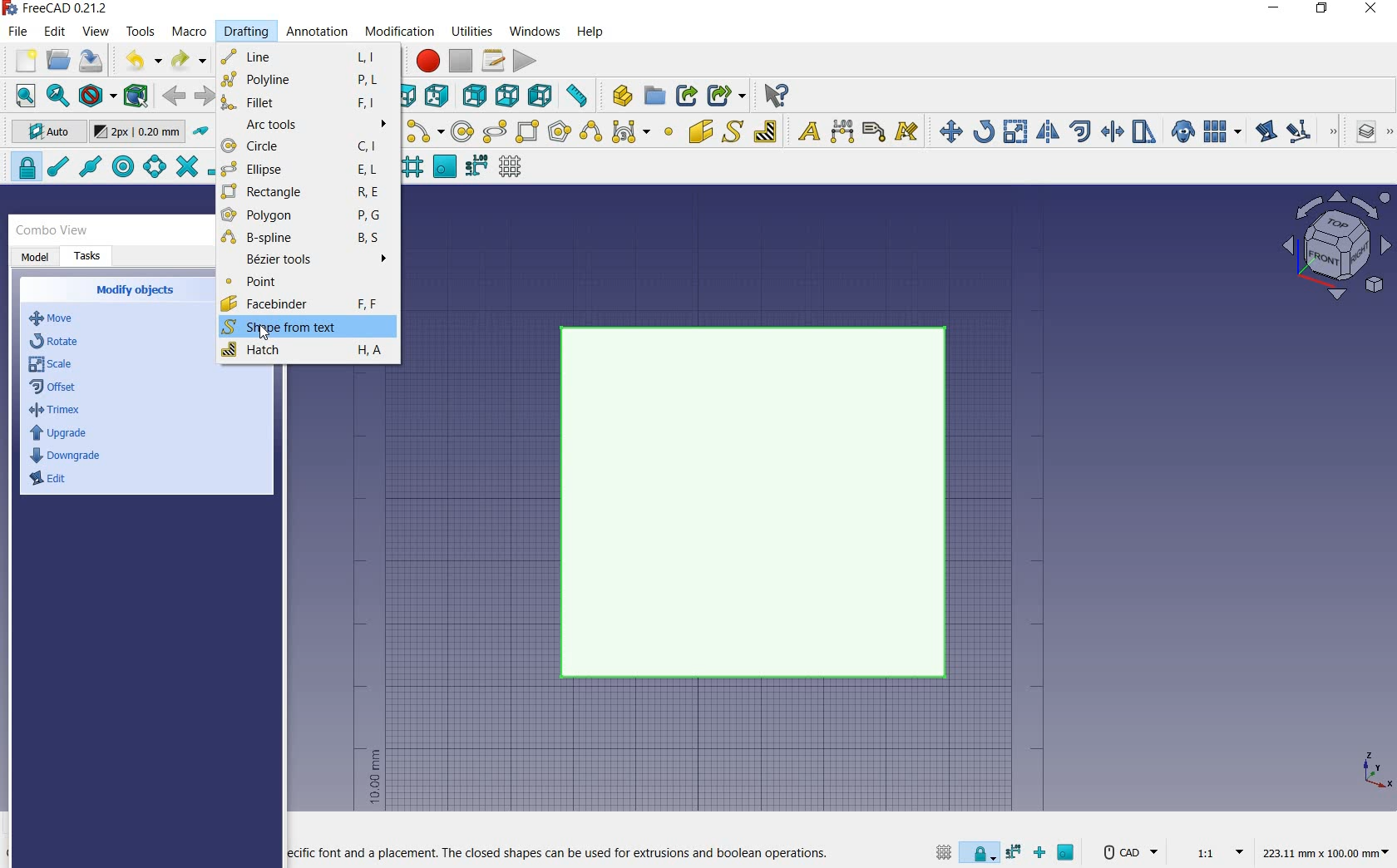 The width and height of the screenshot is (1397, 868). I want to click on snap center, so click(121, 167).